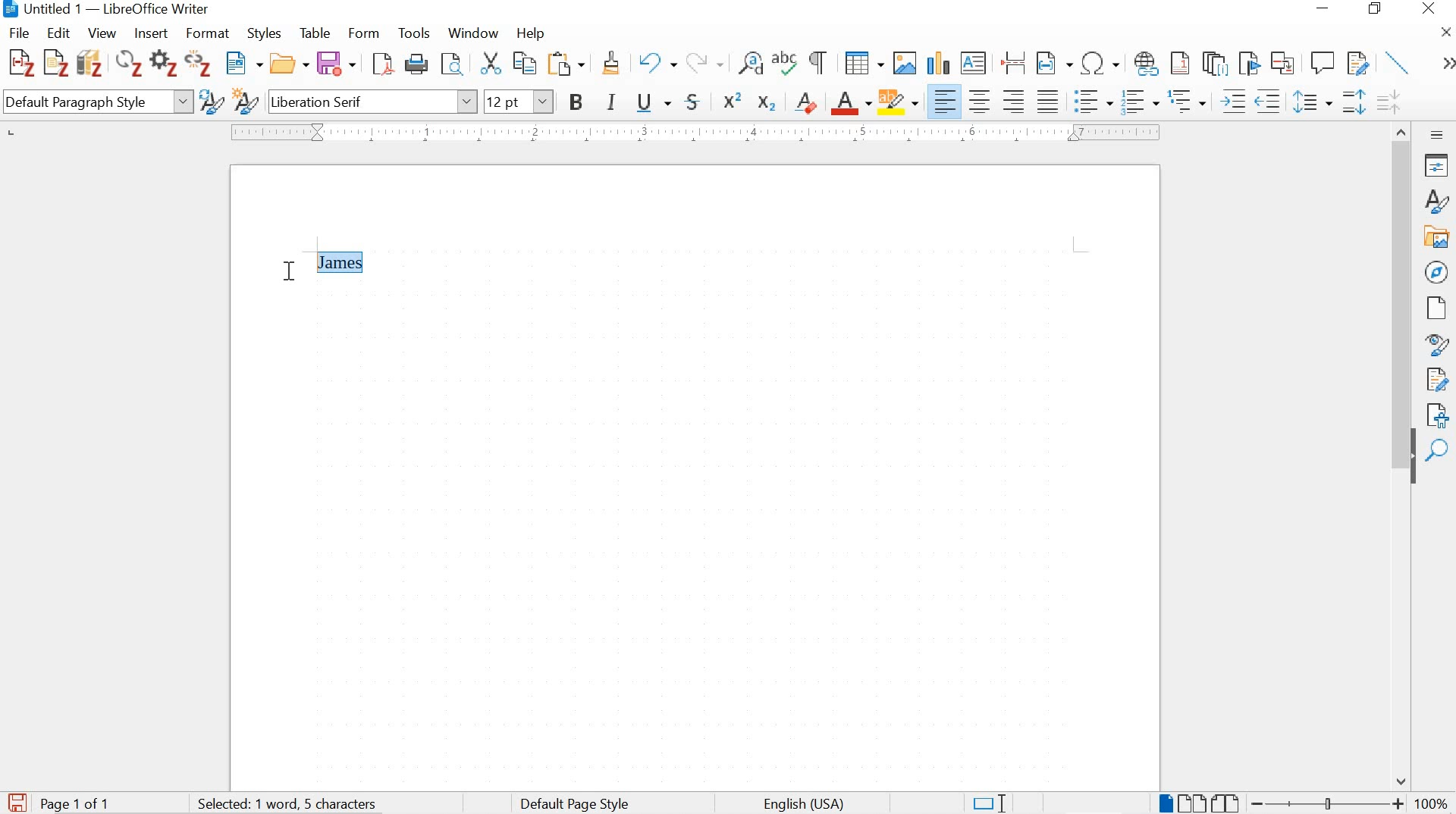  What do you see at coordinates (1101, 64) in the screenshot?
I see `insert special characters` at bounding box center [1101, 64].